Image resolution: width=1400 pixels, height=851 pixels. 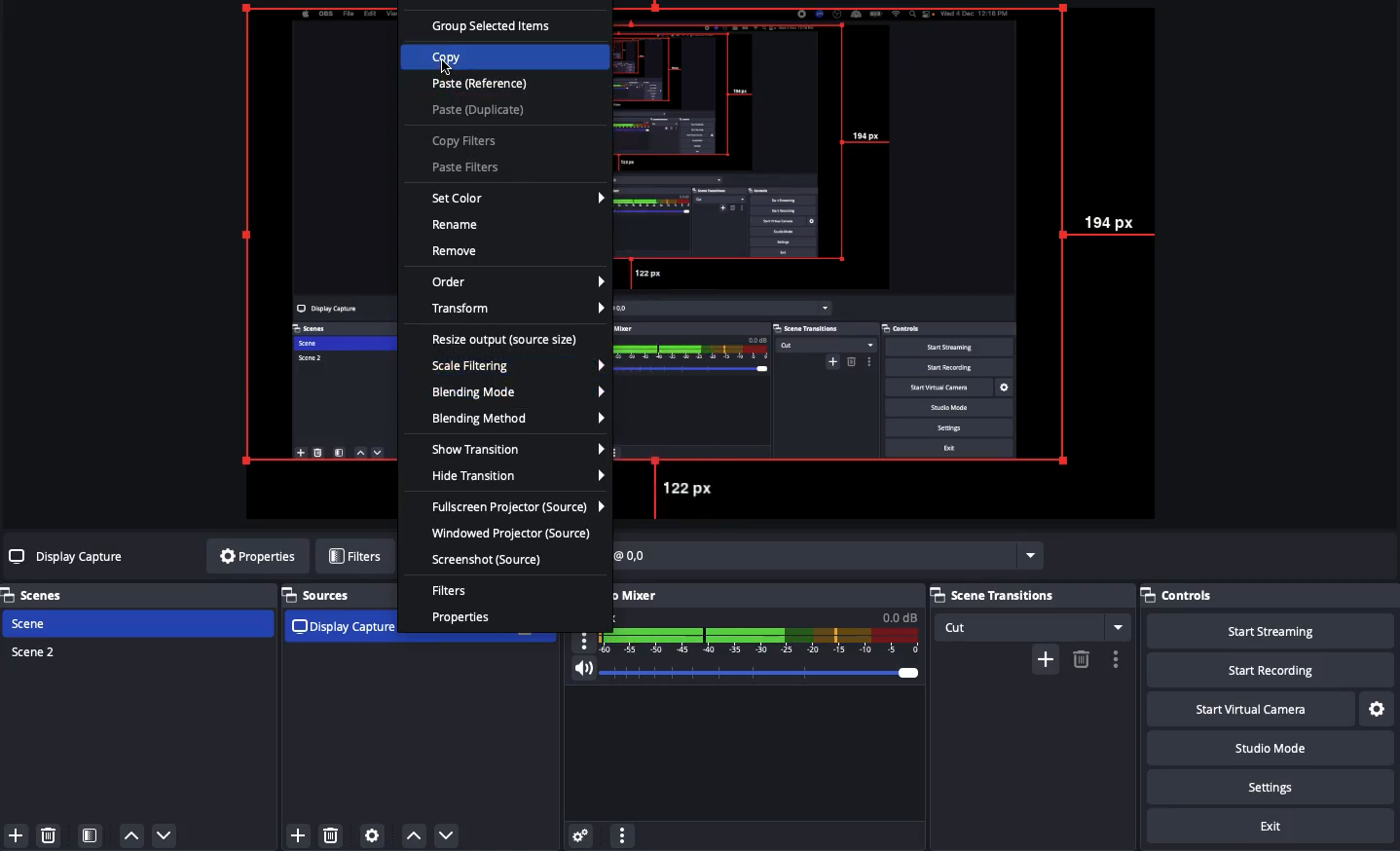 I want to click on Screenshot, so click(x=491, y=559).